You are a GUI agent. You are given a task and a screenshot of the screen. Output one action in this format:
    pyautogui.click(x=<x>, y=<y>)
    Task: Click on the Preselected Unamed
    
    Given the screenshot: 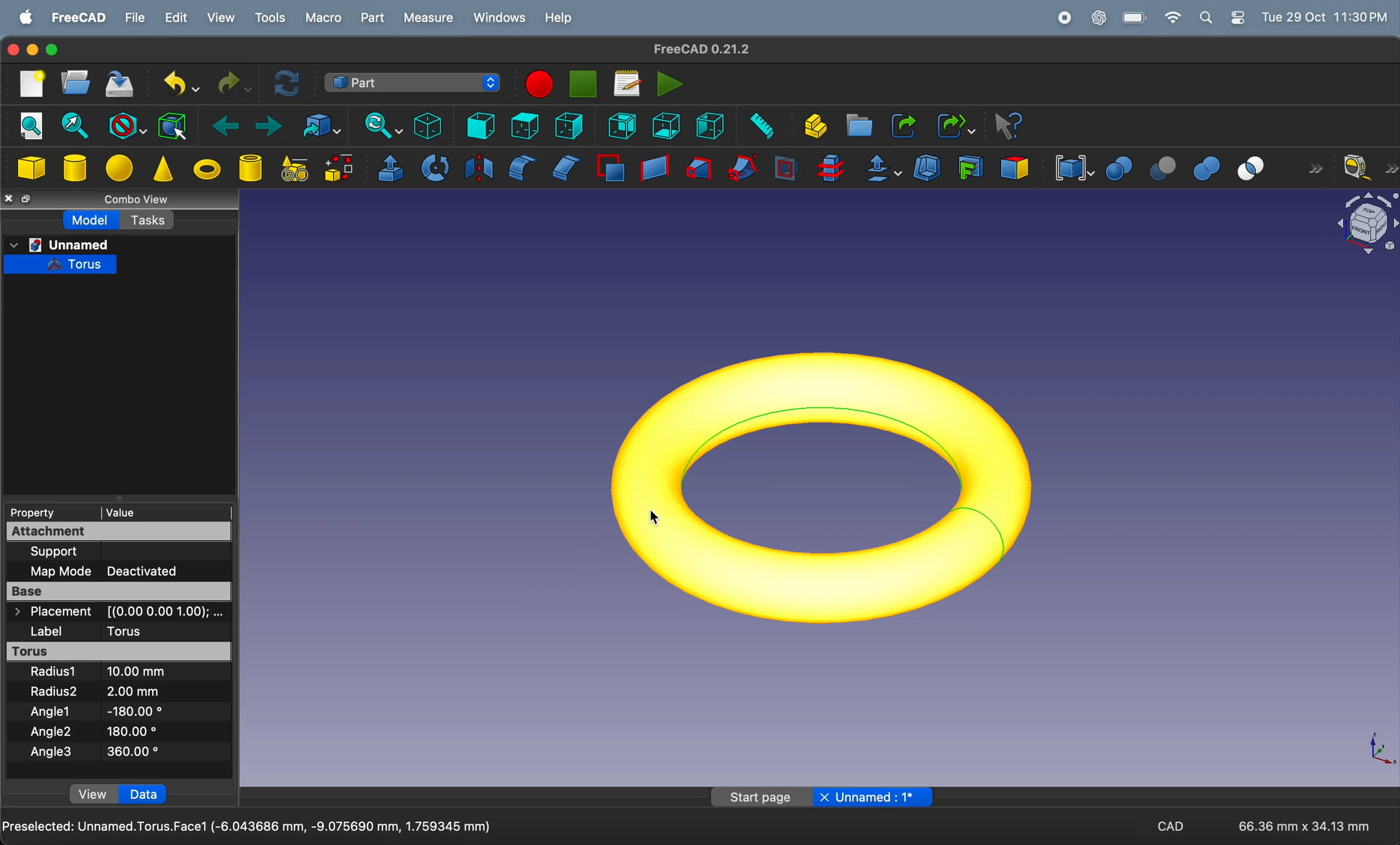 What is the action you would take?
    pyautogui.click(x=248, y=827)
    